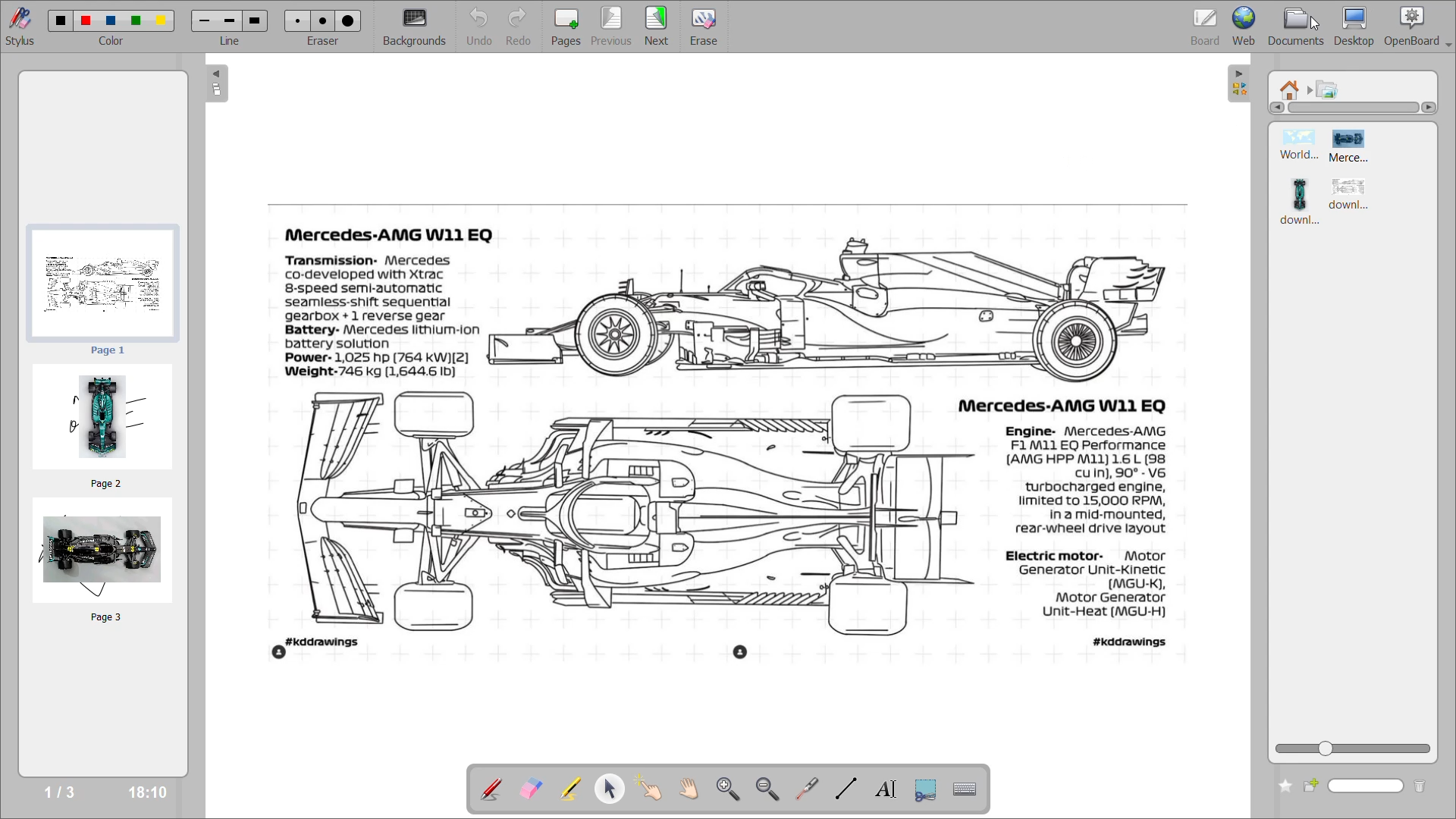 This screenshot has height=819, width=1456. I want to click on add to favourites, so click(1286, 785).